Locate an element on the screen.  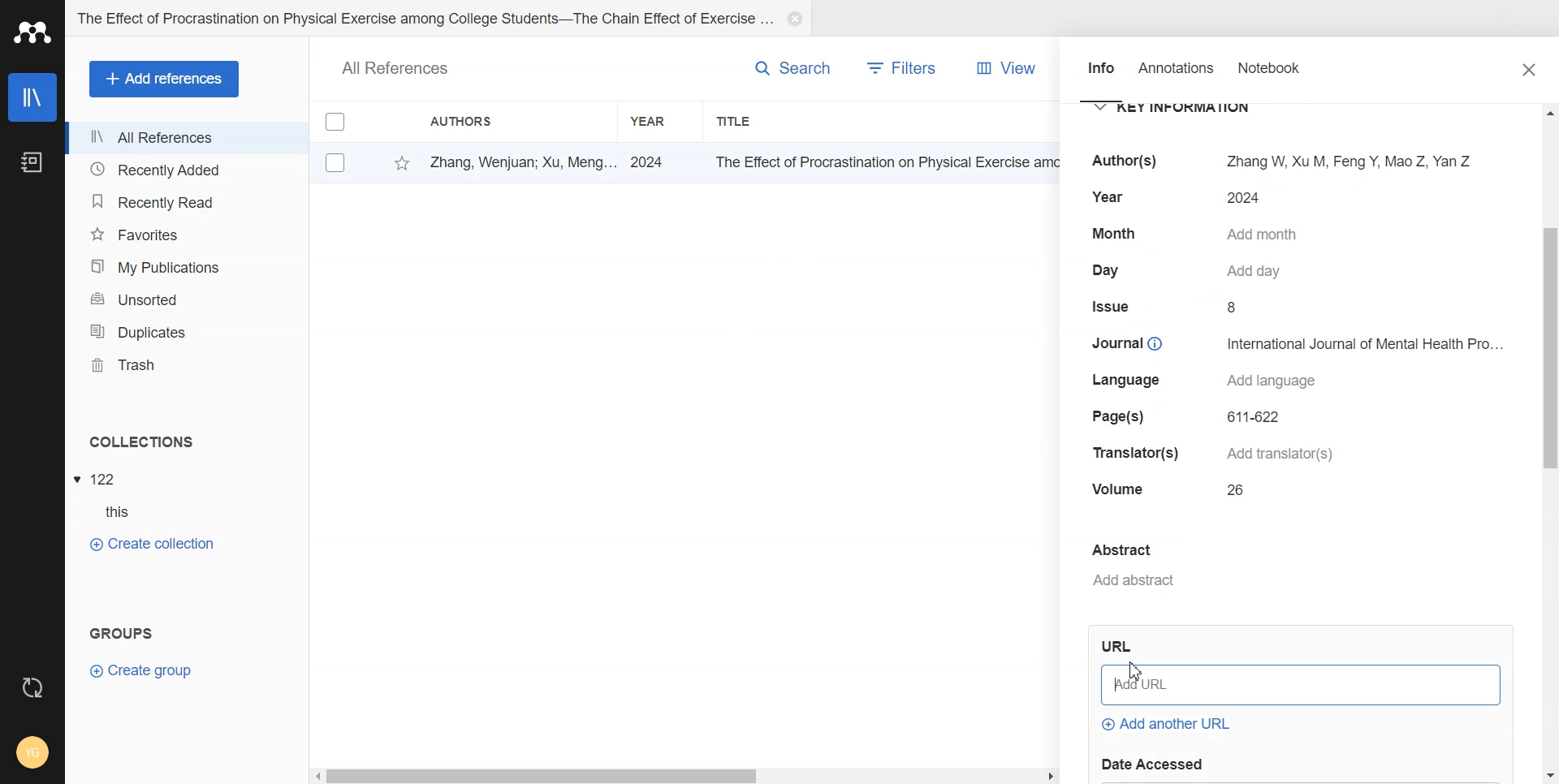
Favorite is located at coordinates (396, 163).